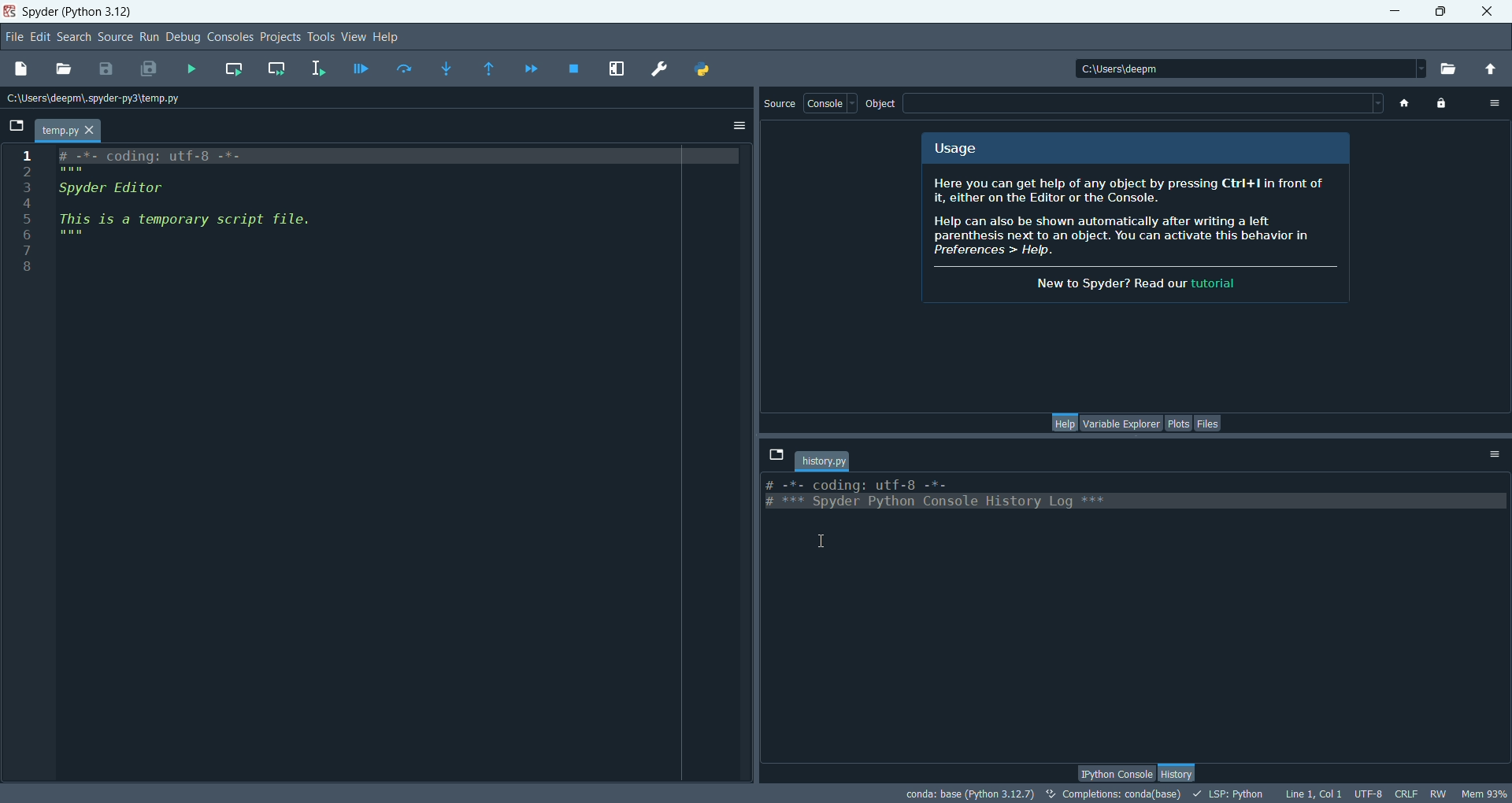  I want to click on conda:base, so click(966, 794).